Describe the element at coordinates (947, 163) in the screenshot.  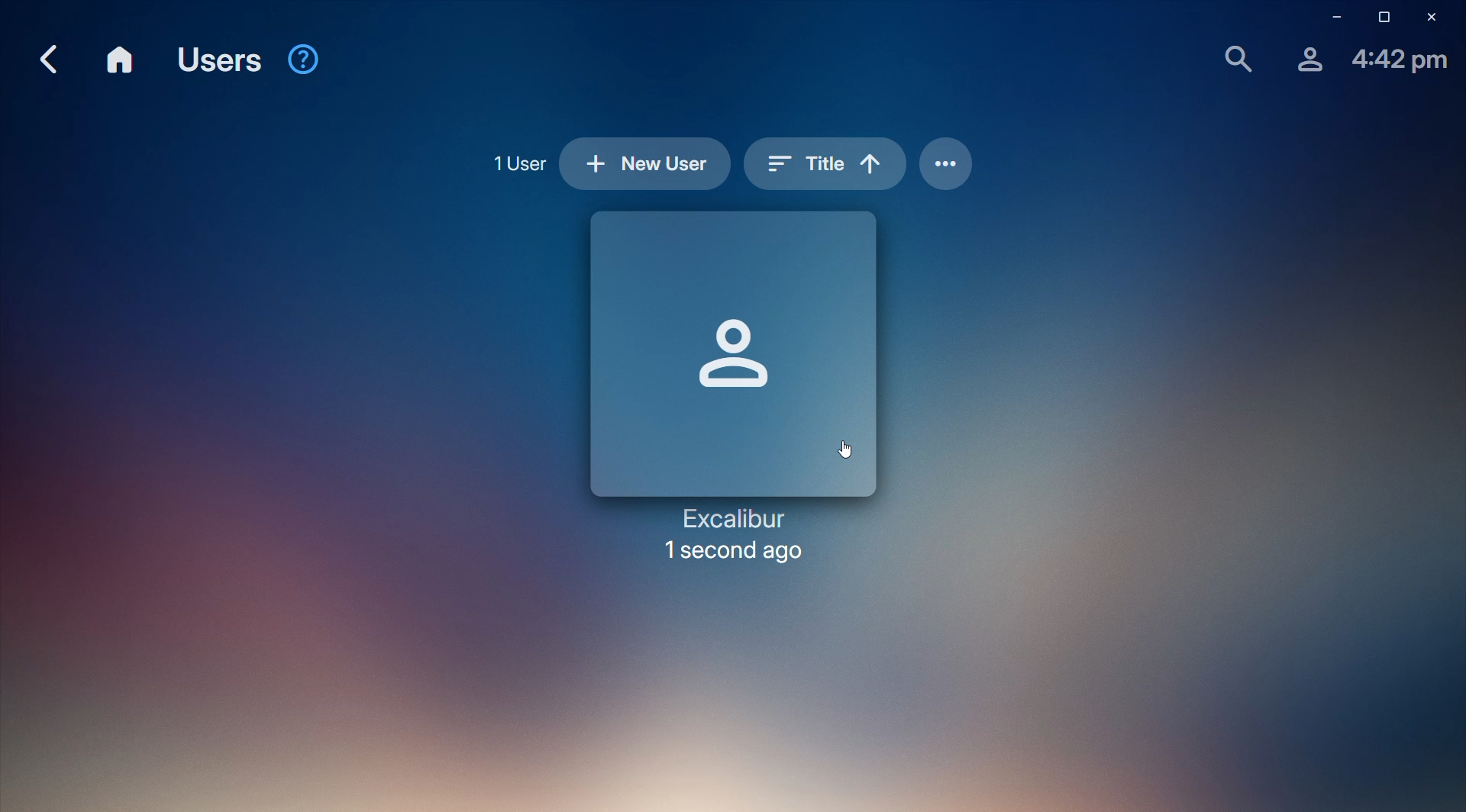
I see `Options` at that location.